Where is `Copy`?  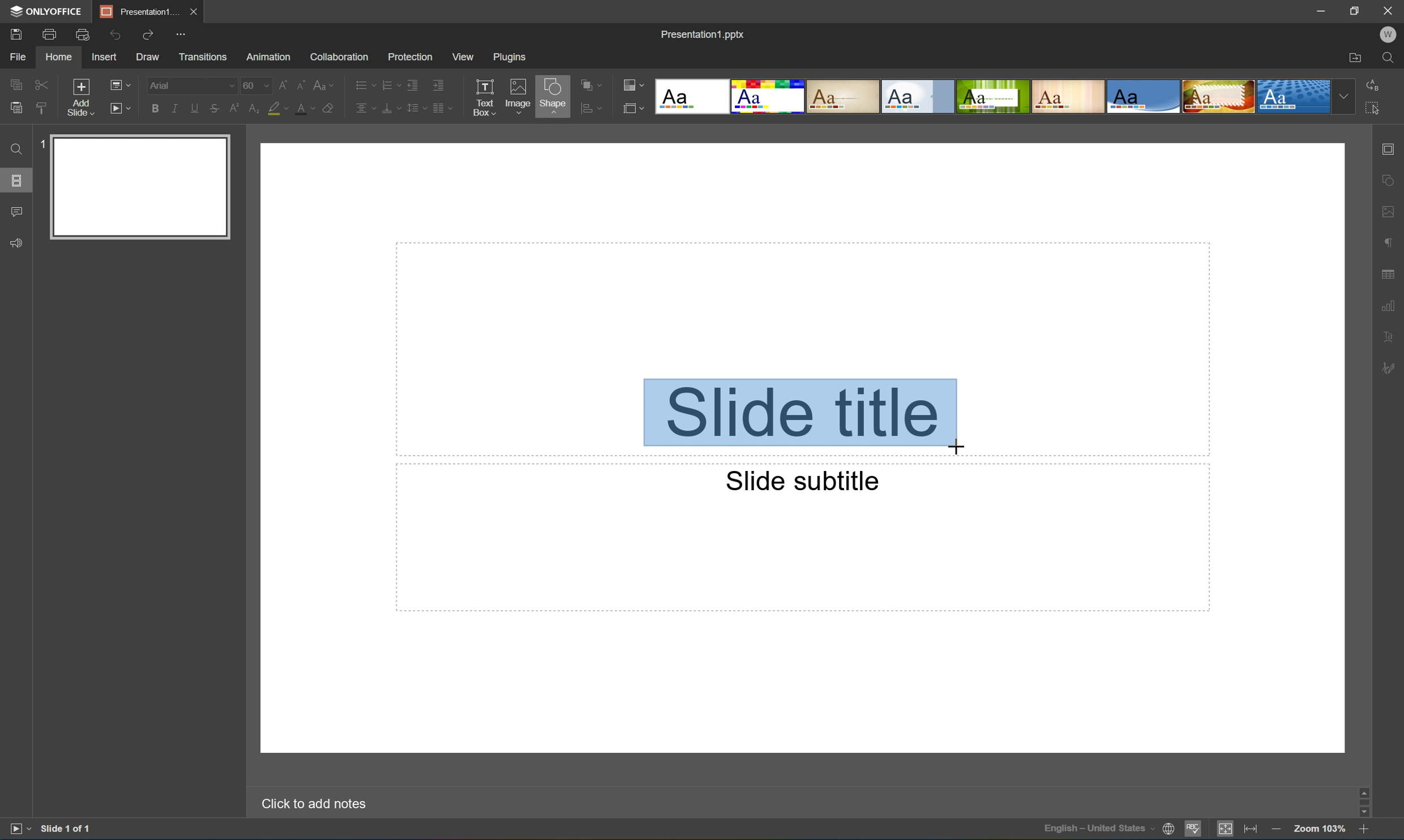
Copy is located at coordinates (17, 82).